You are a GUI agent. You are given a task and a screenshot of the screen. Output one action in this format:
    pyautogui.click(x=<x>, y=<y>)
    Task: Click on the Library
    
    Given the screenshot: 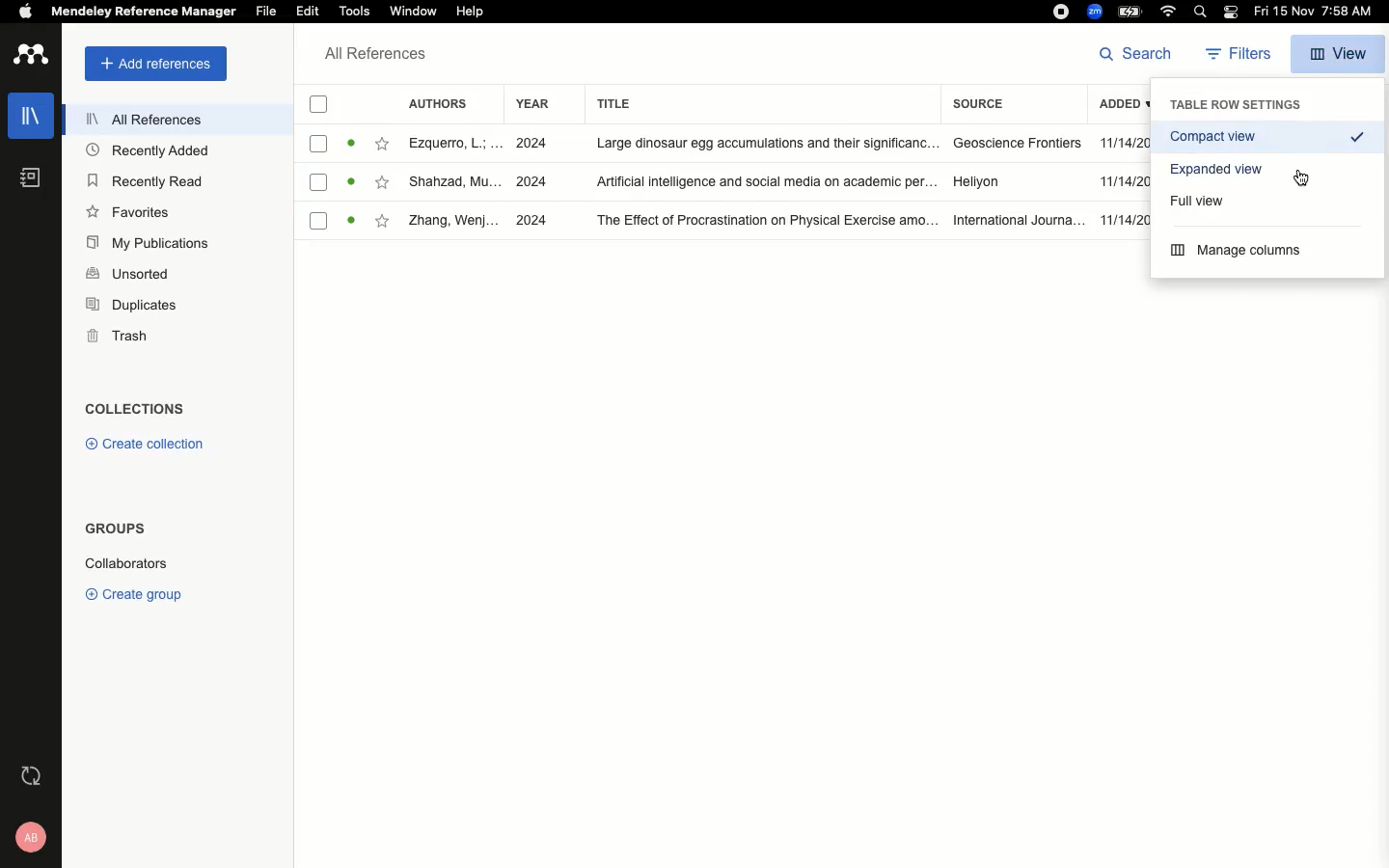 What is the action you would take?
    pyautogui.click(x=26, y=122)
    